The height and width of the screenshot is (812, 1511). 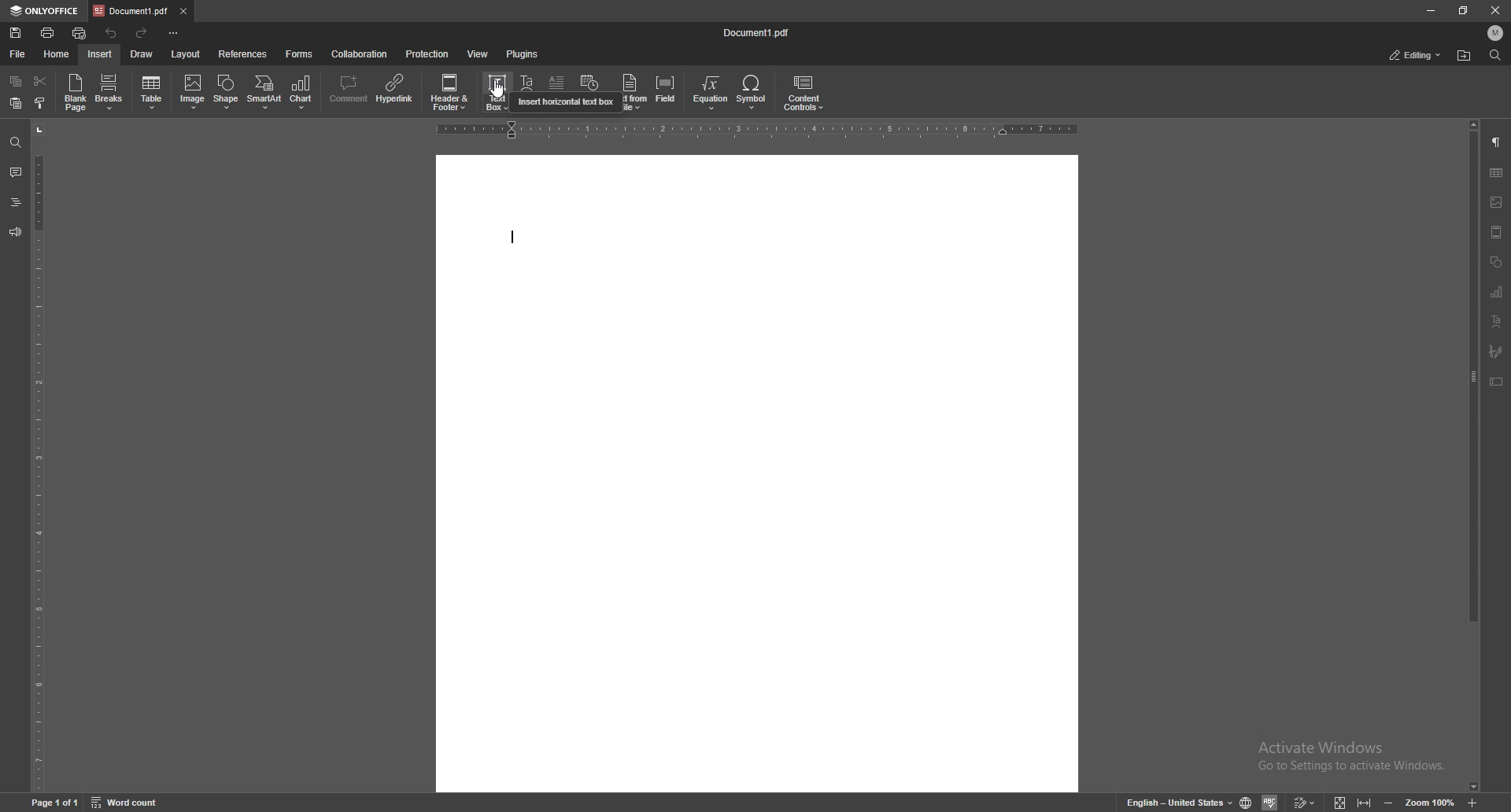 I want to click on track changes, so click(x=1303, y=803).